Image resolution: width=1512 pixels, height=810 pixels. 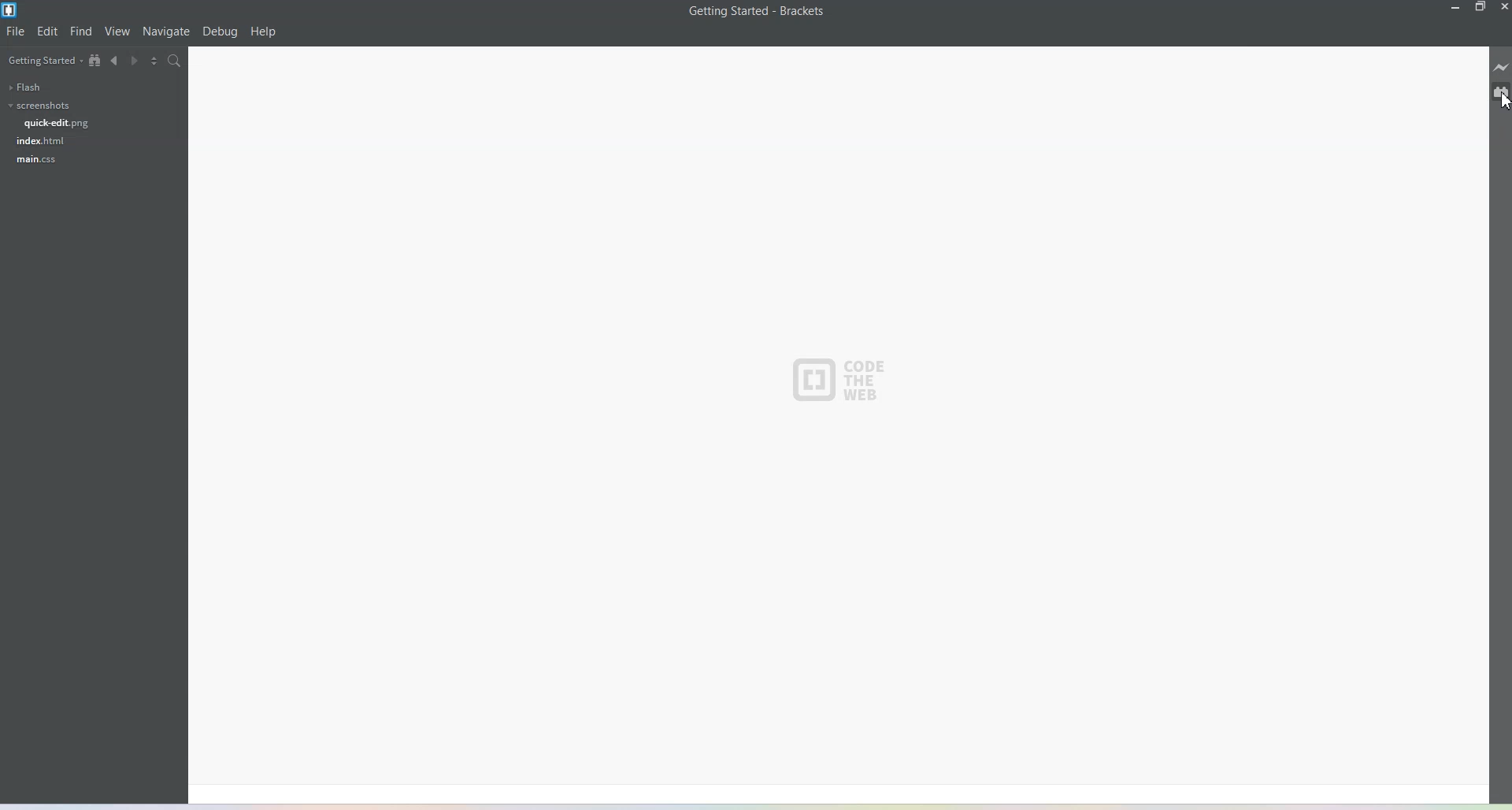 I want to click on File, so click(x=17, y=32).